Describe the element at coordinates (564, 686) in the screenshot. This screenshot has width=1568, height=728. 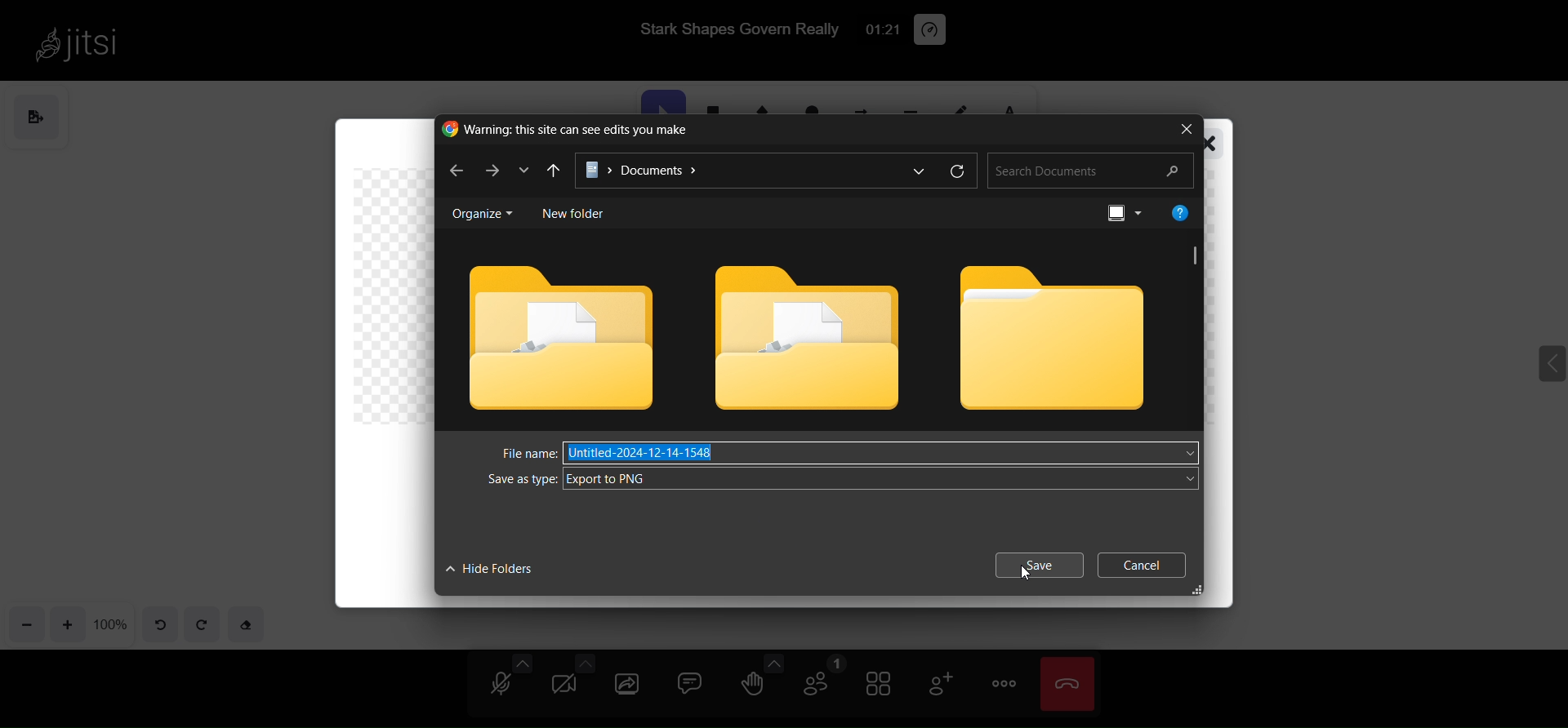
I see `camera` at that location.